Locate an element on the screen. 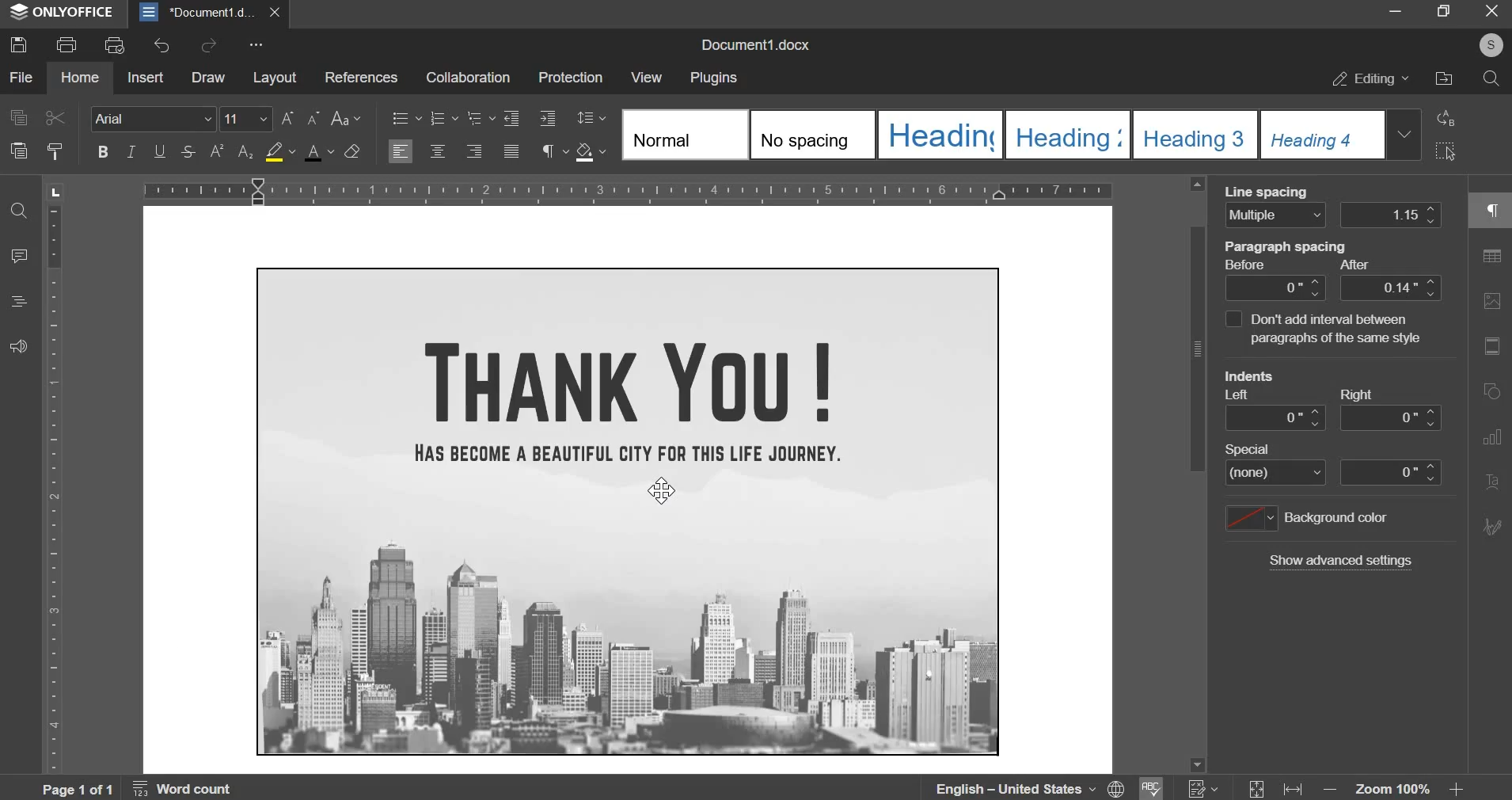 This screenshot has height=800, width=1512. decremental font size is located at coordinates (315, 119).